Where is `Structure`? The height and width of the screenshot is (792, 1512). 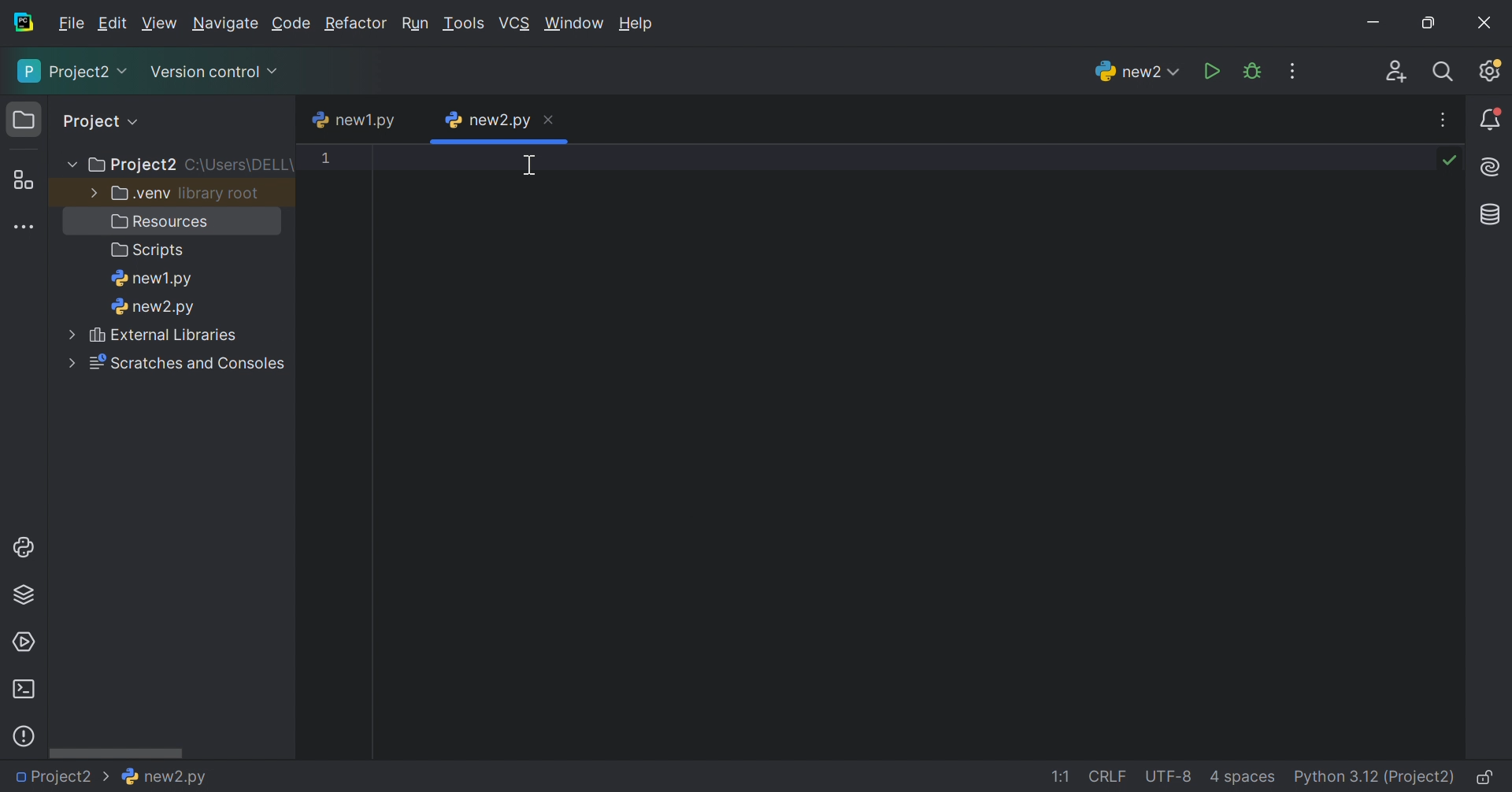 Structure is located at coordinates (24, 181).